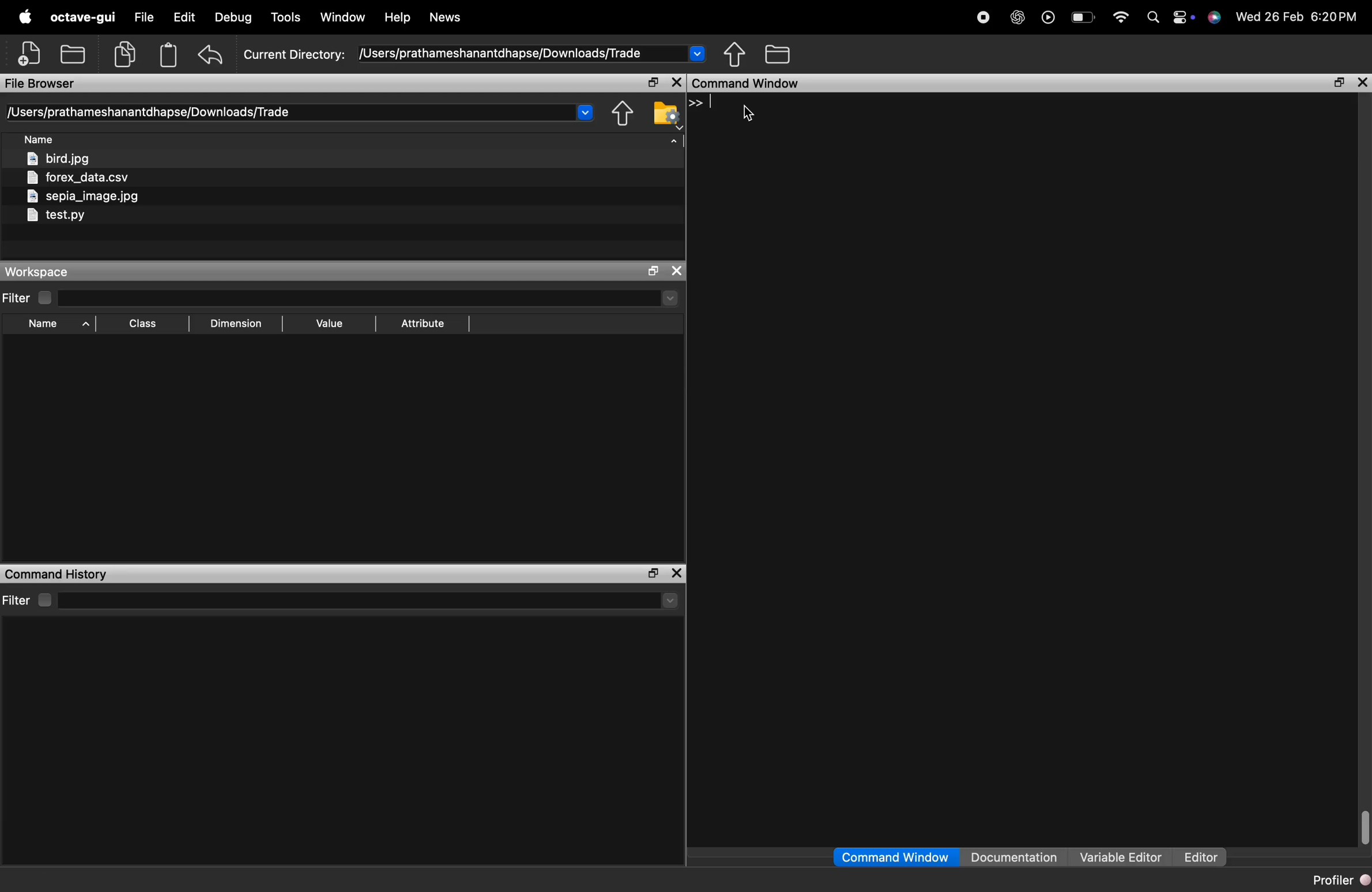 The image size is (1372, 892). Describe the element at coordinates (61, 159) in the screenshot. I see `bird.jpg` at that location.